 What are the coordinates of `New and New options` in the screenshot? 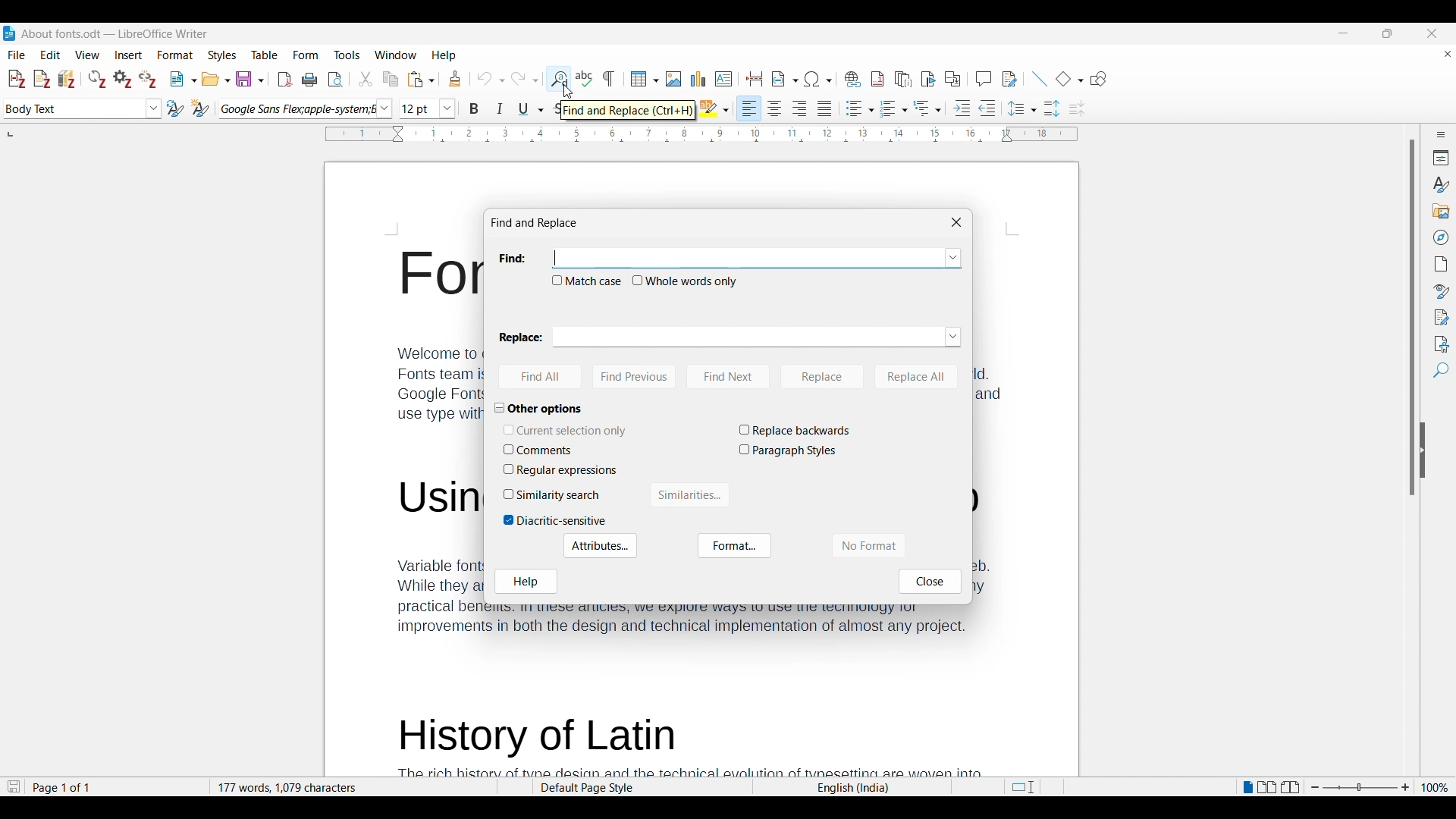 It's located at (183, 79).